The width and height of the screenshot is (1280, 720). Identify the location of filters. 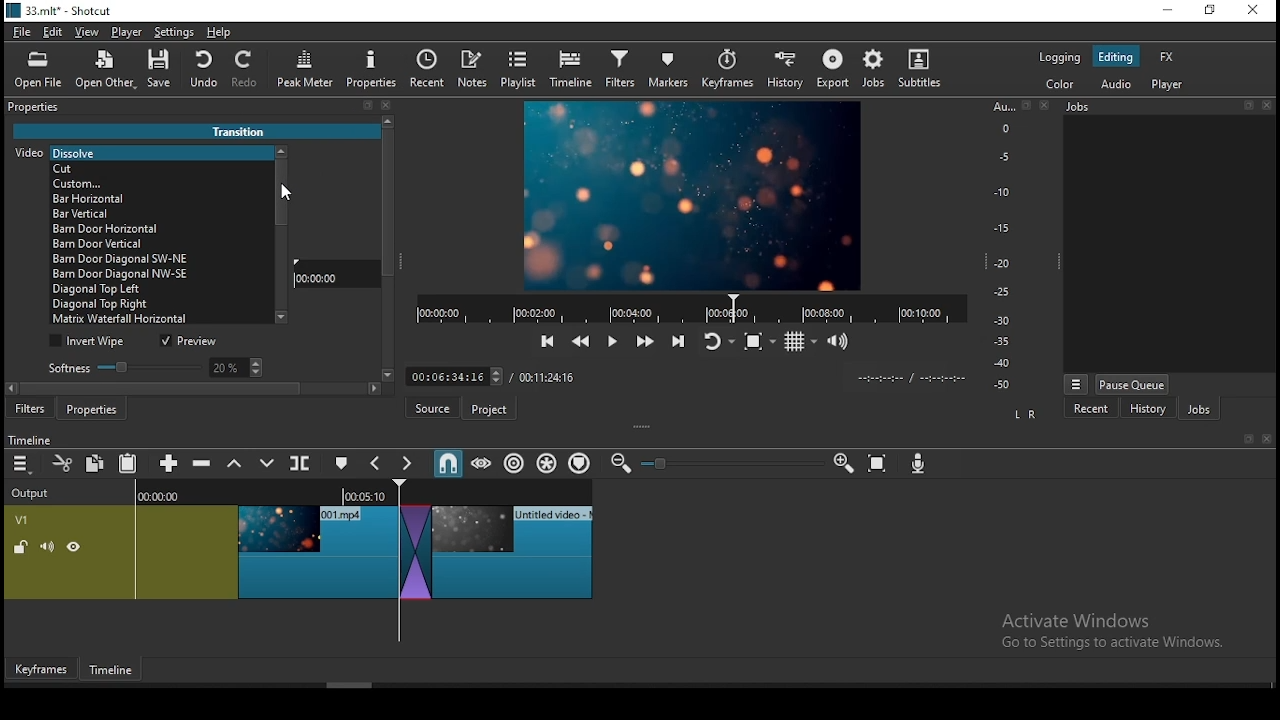
(619, 70).